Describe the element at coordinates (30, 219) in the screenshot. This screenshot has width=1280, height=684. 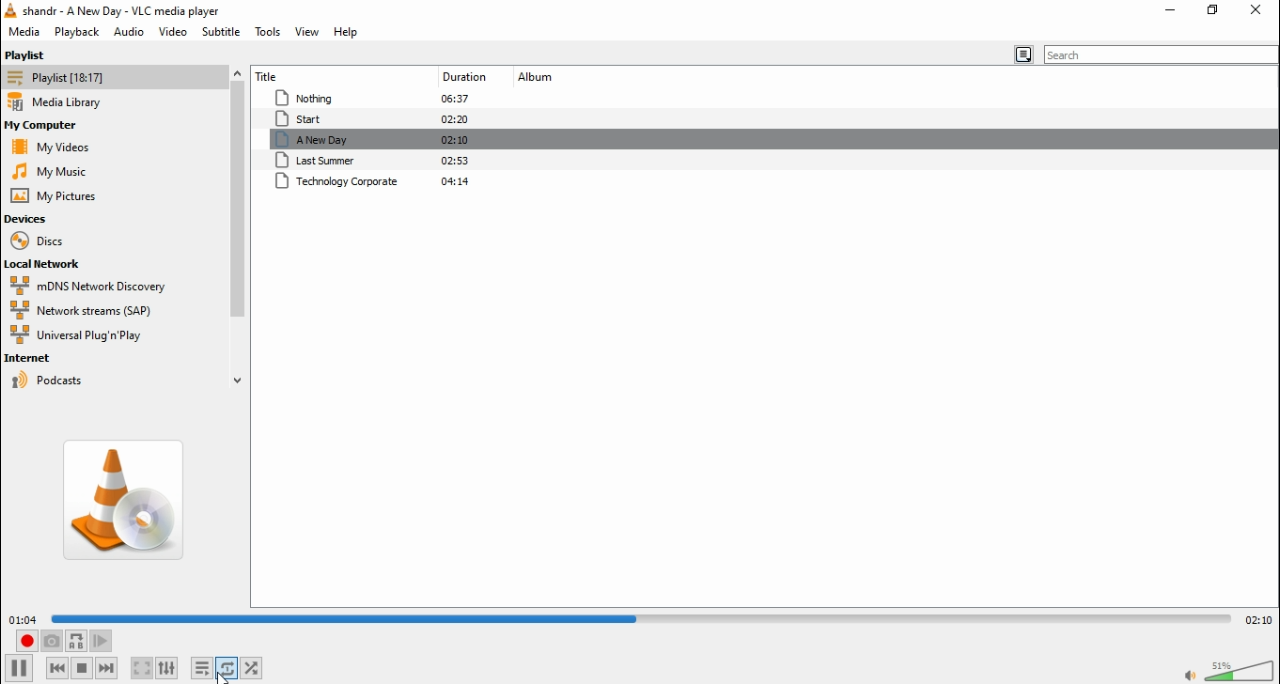
I see `devices` at that location.